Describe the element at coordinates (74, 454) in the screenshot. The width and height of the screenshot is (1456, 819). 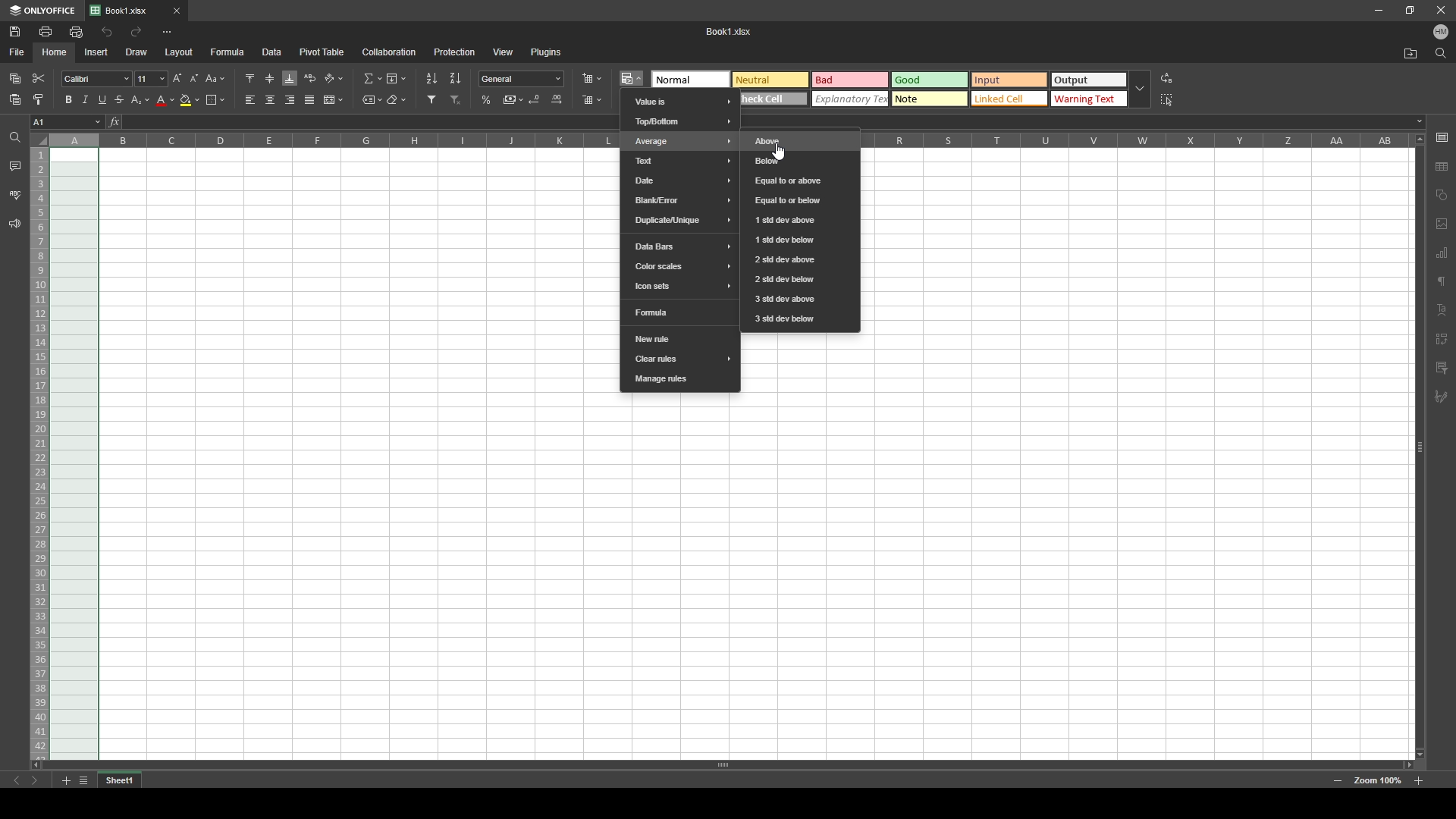
I see `selected cells` at that location.